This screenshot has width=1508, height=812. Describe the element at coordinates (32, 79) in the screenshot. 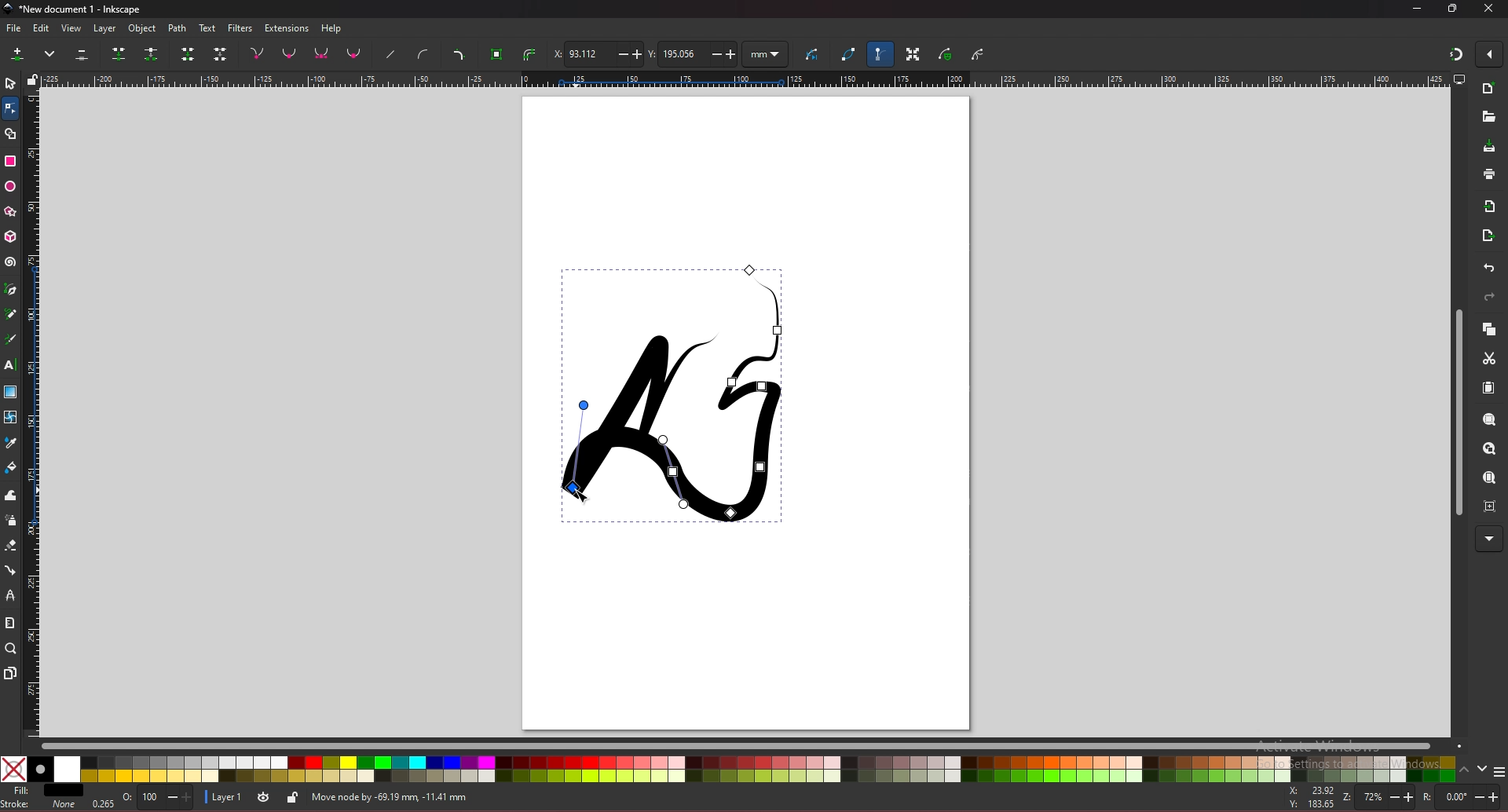

I see `lock guides` at that location.